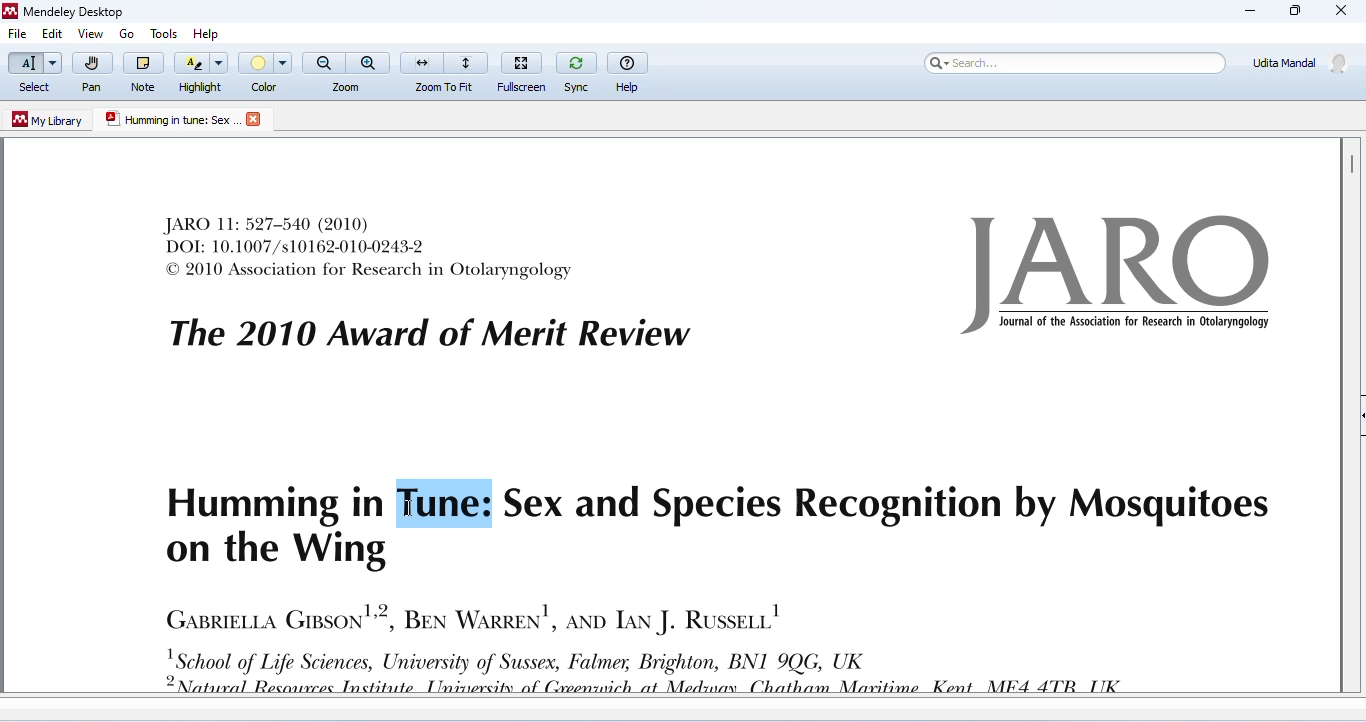  What do you see at coordinates (370, 247) in the screenshot?
I see `JARO 11: 527-540 (2010)
DOI: 10.1007/510162-010-0243-2
© 2010 Association for Research in Otolaryngology` at bounding box center [370, 247].